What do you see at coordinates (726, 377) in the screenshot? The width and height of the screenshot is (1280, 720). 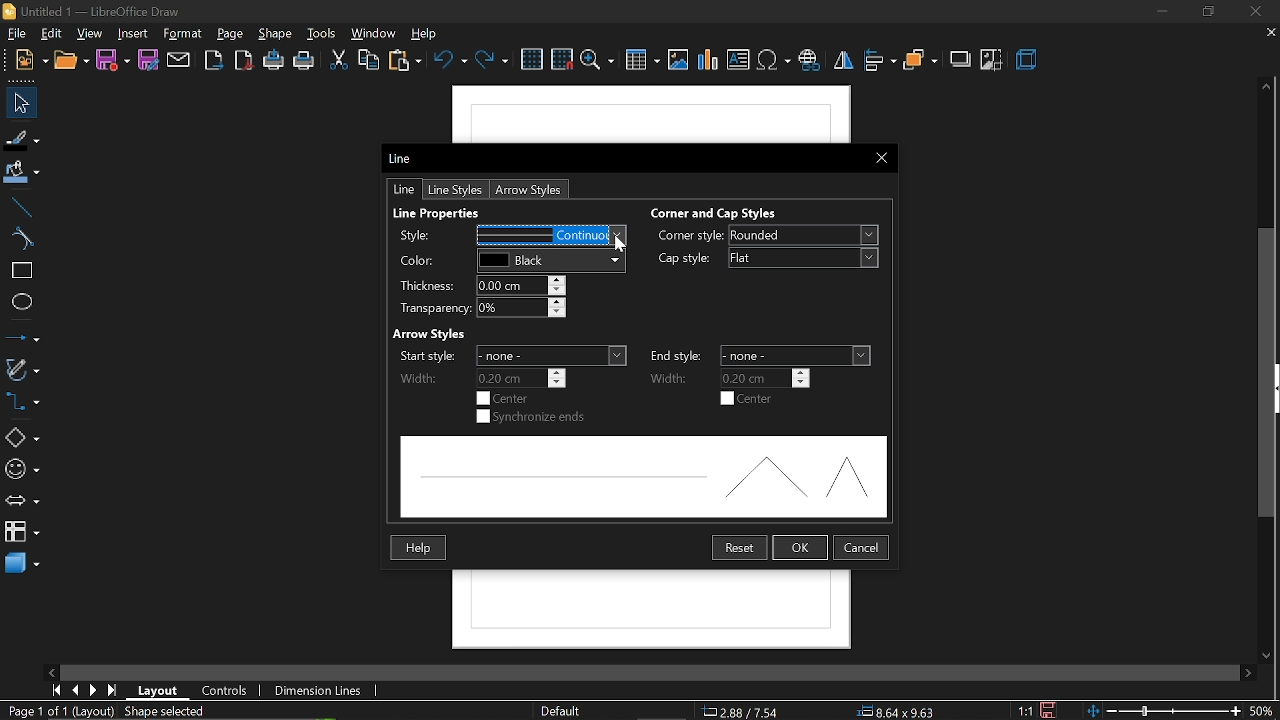 I see `end width` at bounding box center [726, 377].